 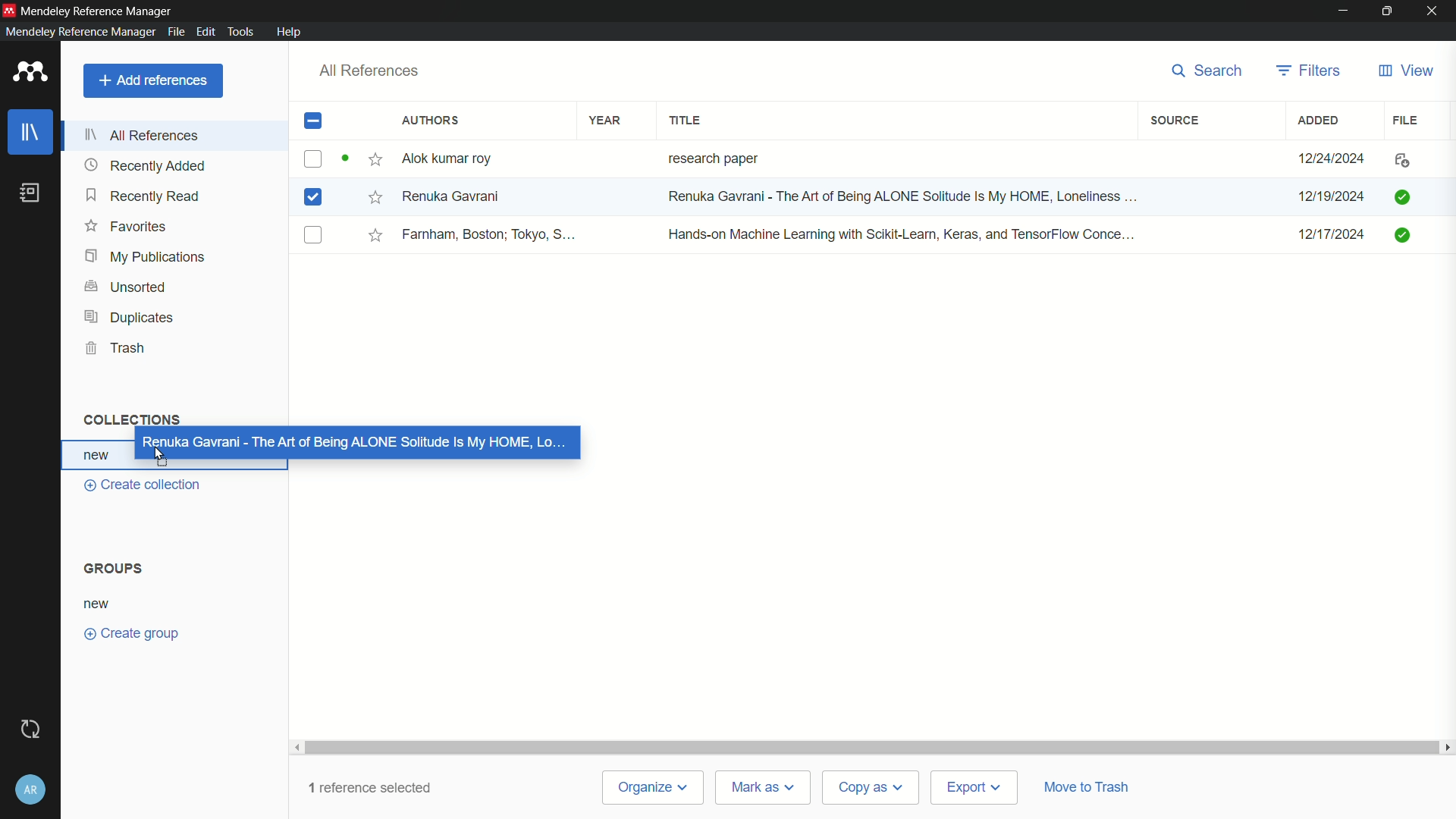 I want to click on app icon, so click(x=30, y=71).